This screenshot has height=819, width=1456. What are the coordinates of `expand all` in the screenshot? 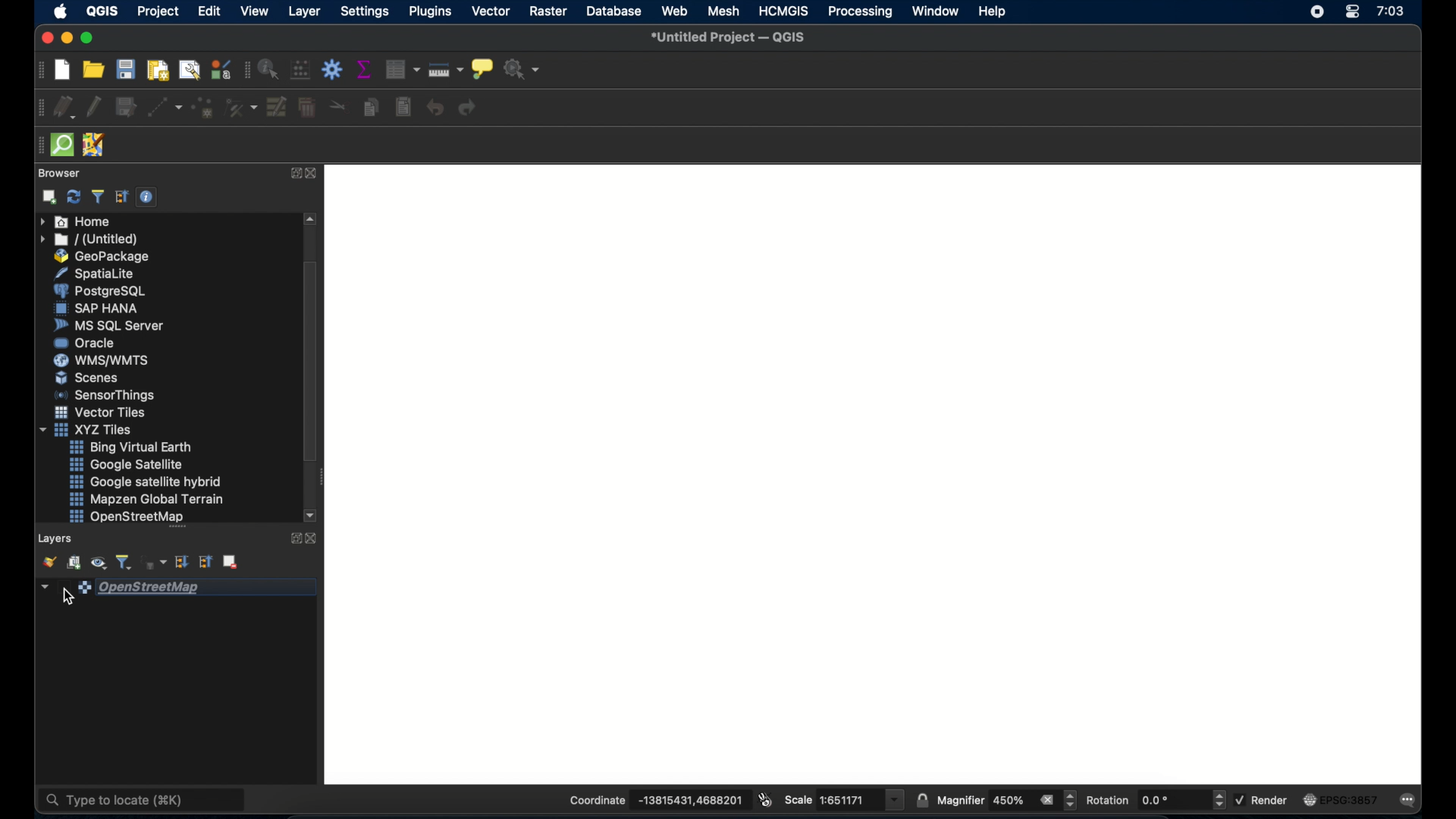 It's located at (181, 563).